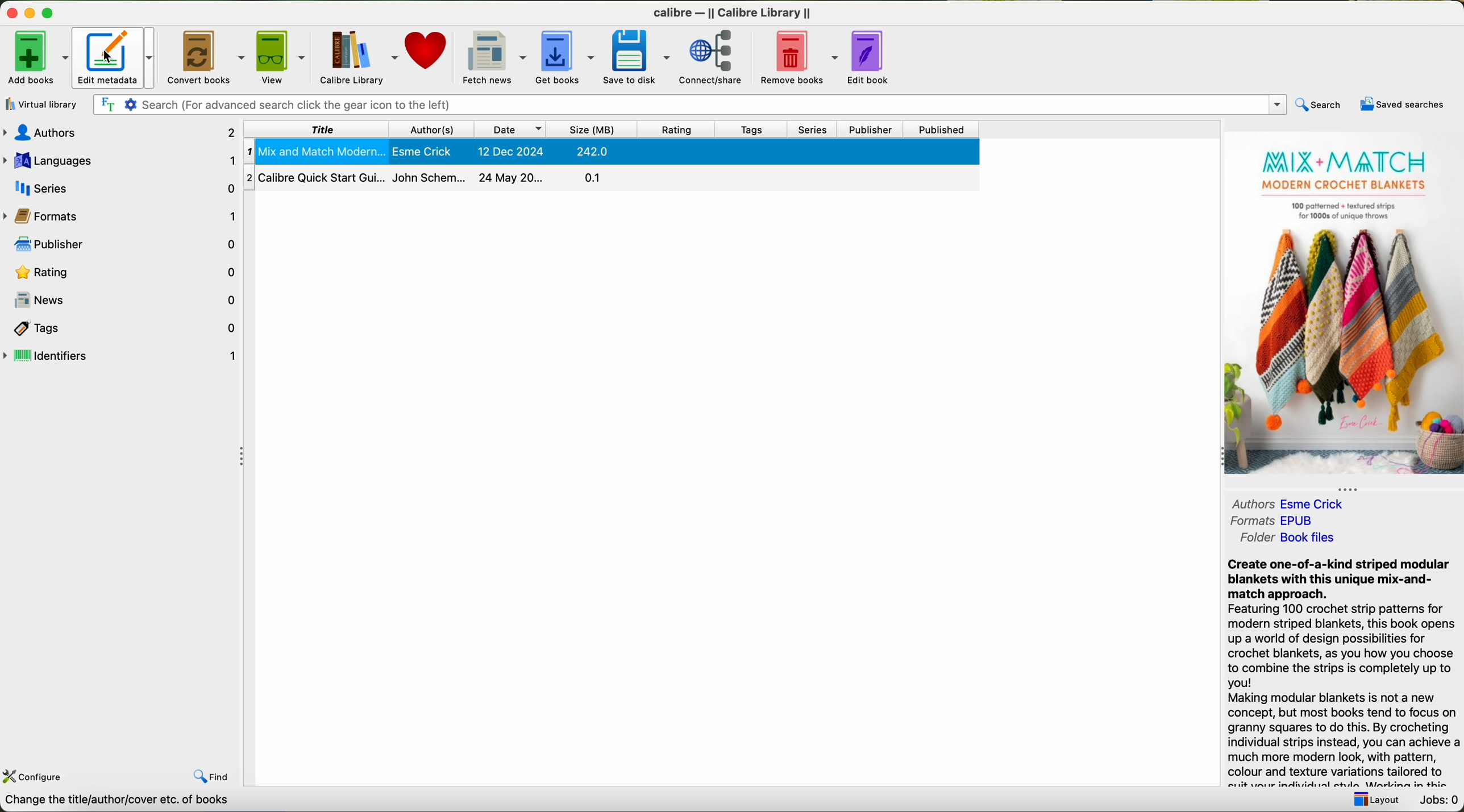 The height and width of the screenshot is (812, 1464). Describe the element at coordinates (686, 103) in the screenshot. I see `search bar` at that location.